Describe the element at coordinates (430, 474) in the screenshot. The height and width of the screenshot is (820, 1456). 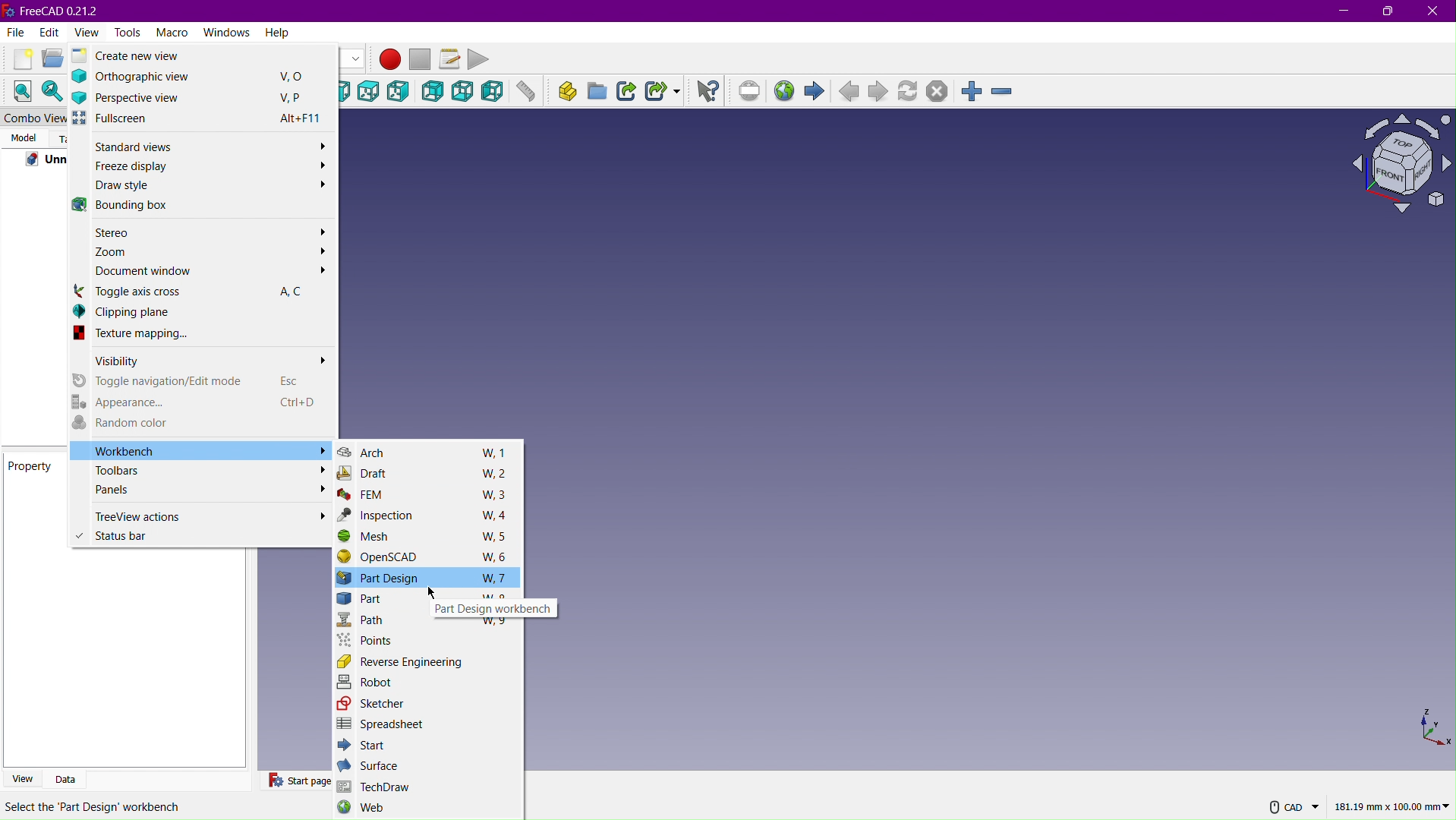
I see `Draft W, 2` at that location.